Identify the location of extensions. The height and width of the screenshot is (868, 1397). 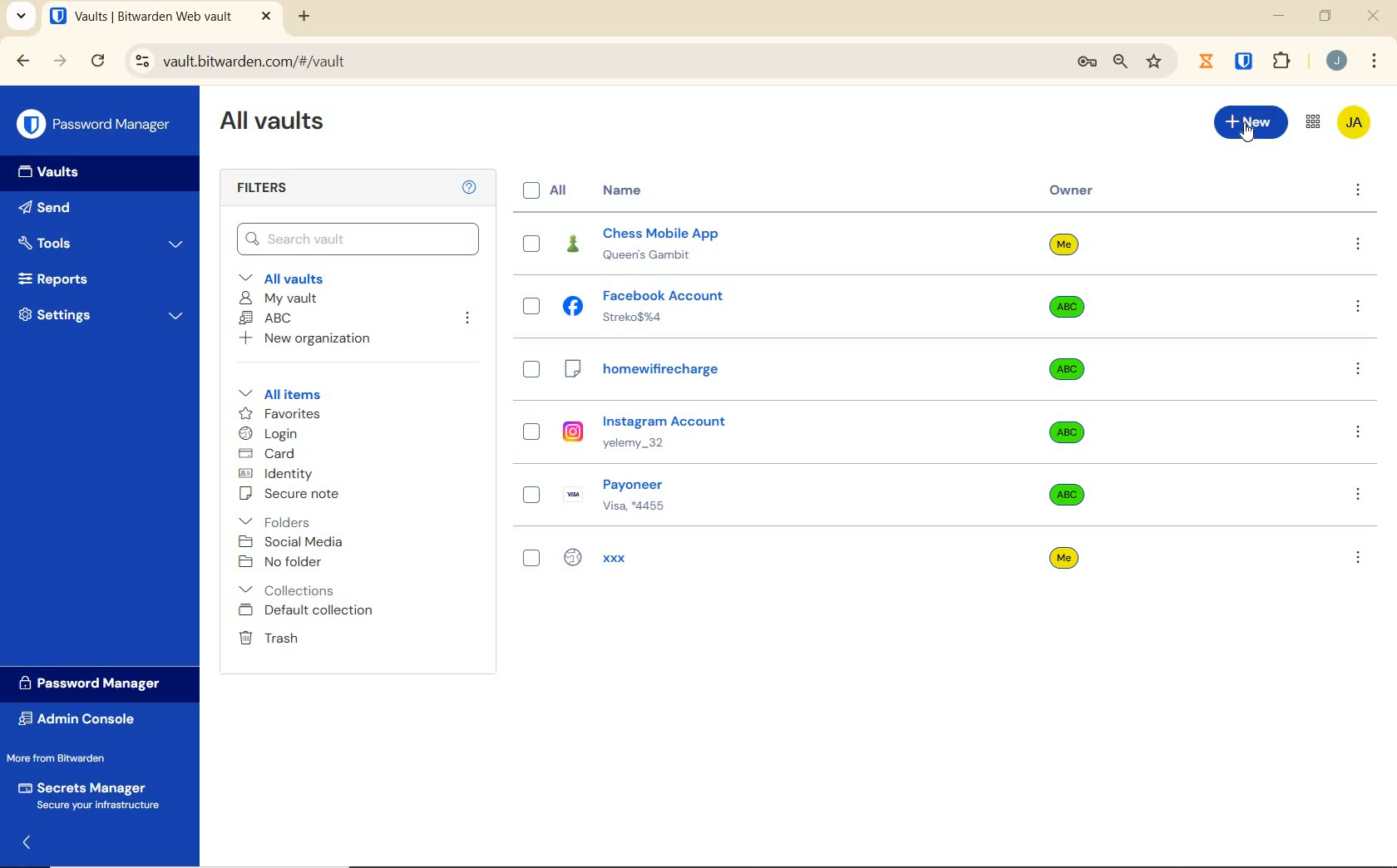
(1283, 61).